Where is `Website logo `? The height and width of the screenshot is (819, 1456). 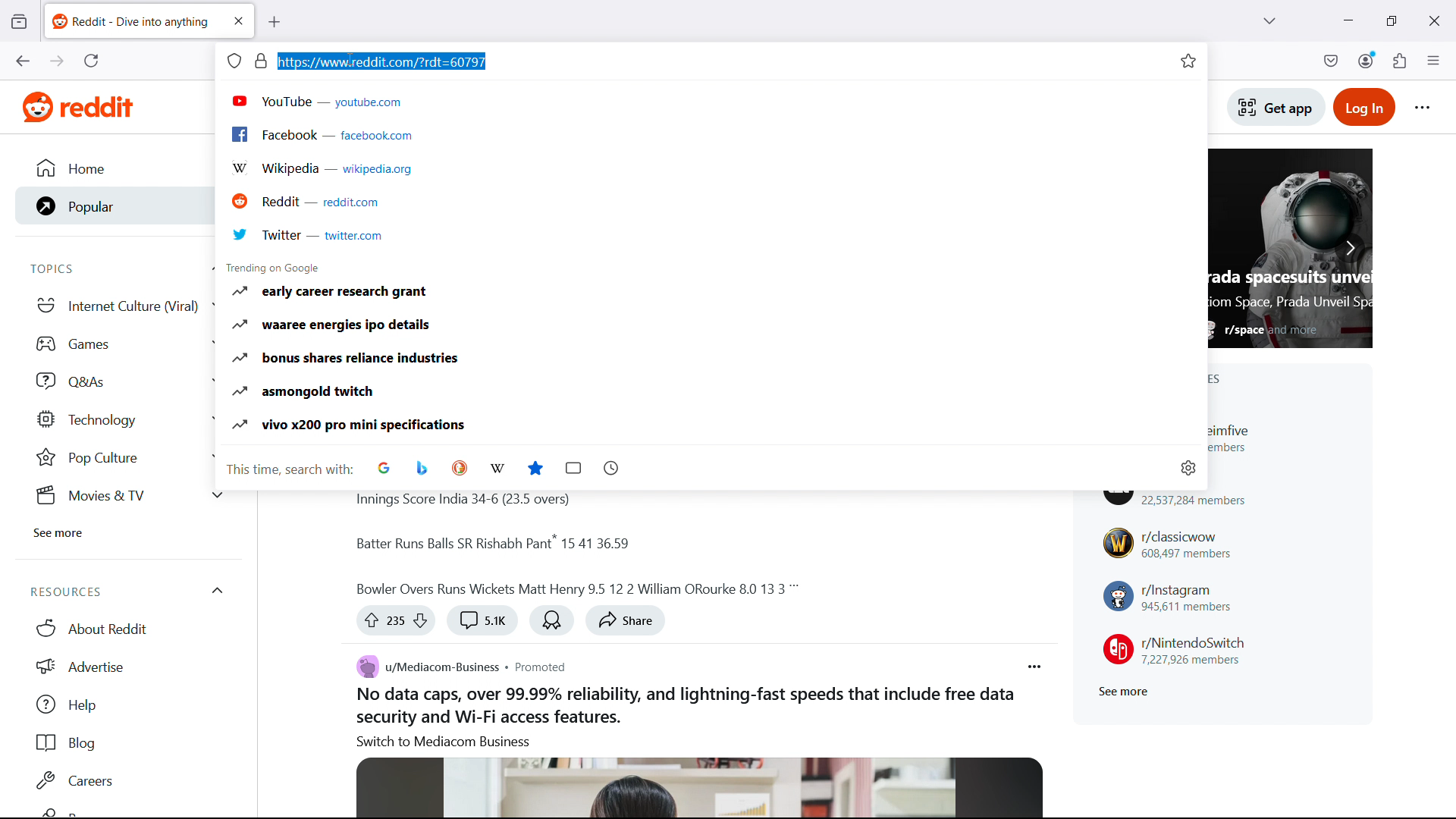
Website logo  is located at coordinates (73, 108).